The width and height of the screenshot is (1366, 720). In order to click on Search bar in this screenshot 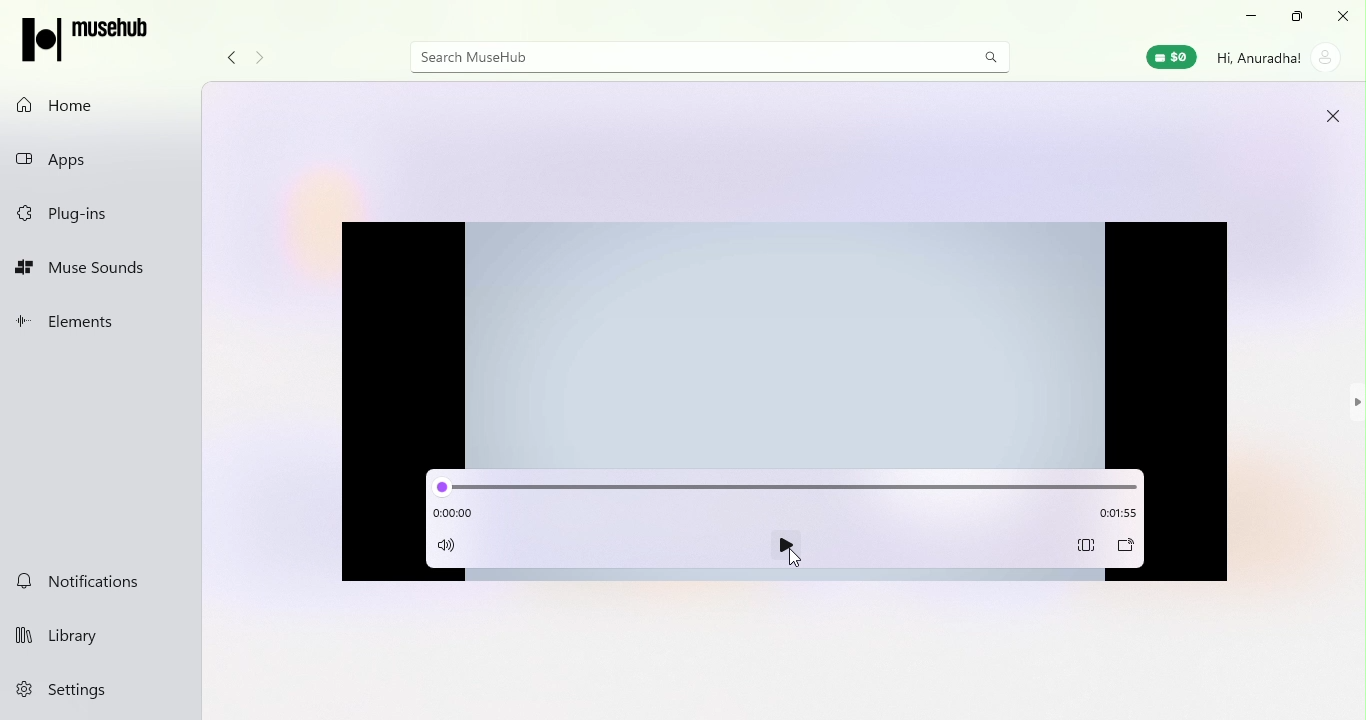, I will do `click(688, 58)`.